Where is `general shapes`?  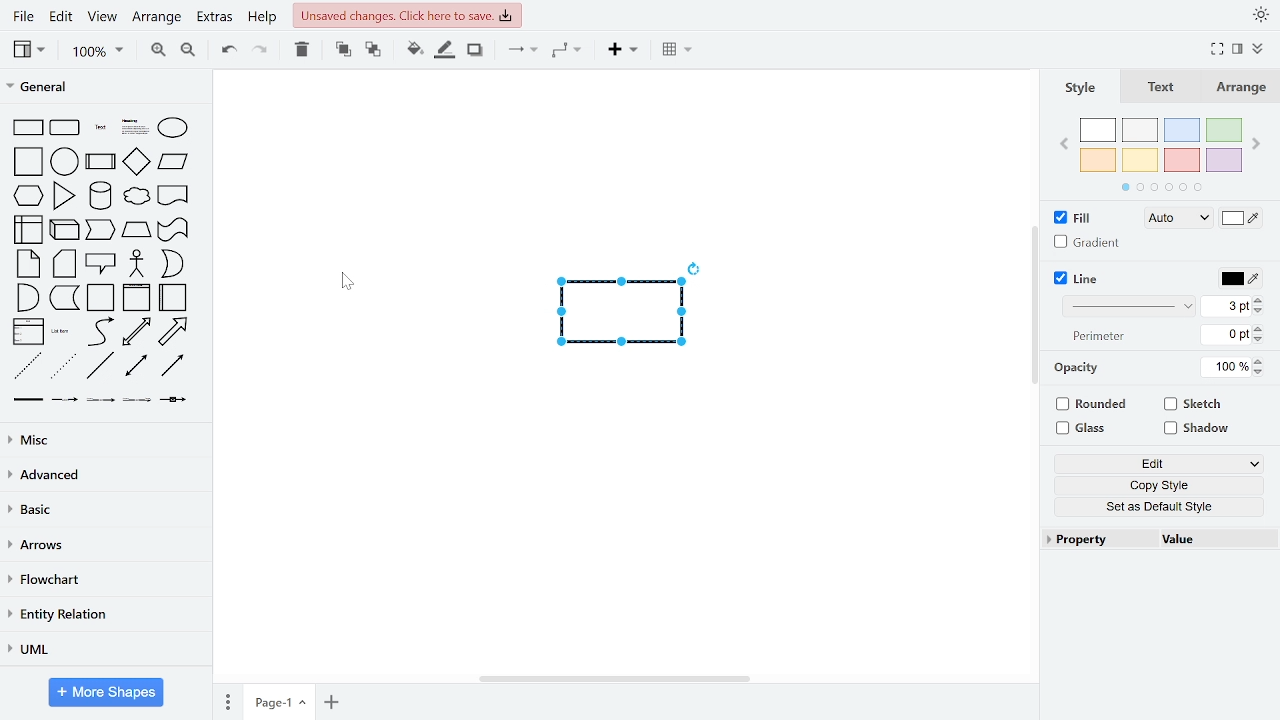
general shapes is located at coordinates (137, 365).